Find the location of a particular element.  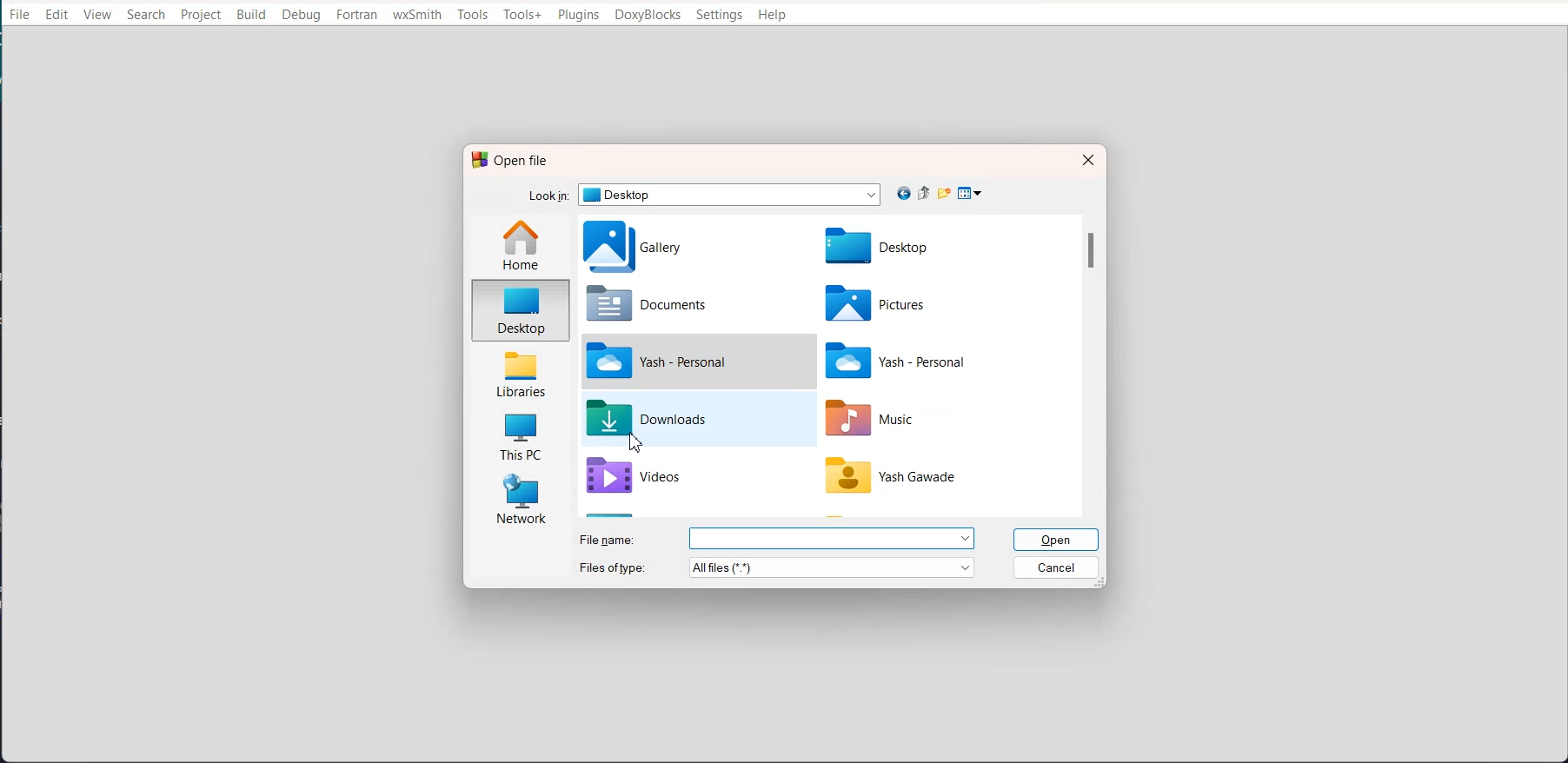

Libraries is located at coordinates (522, 371).